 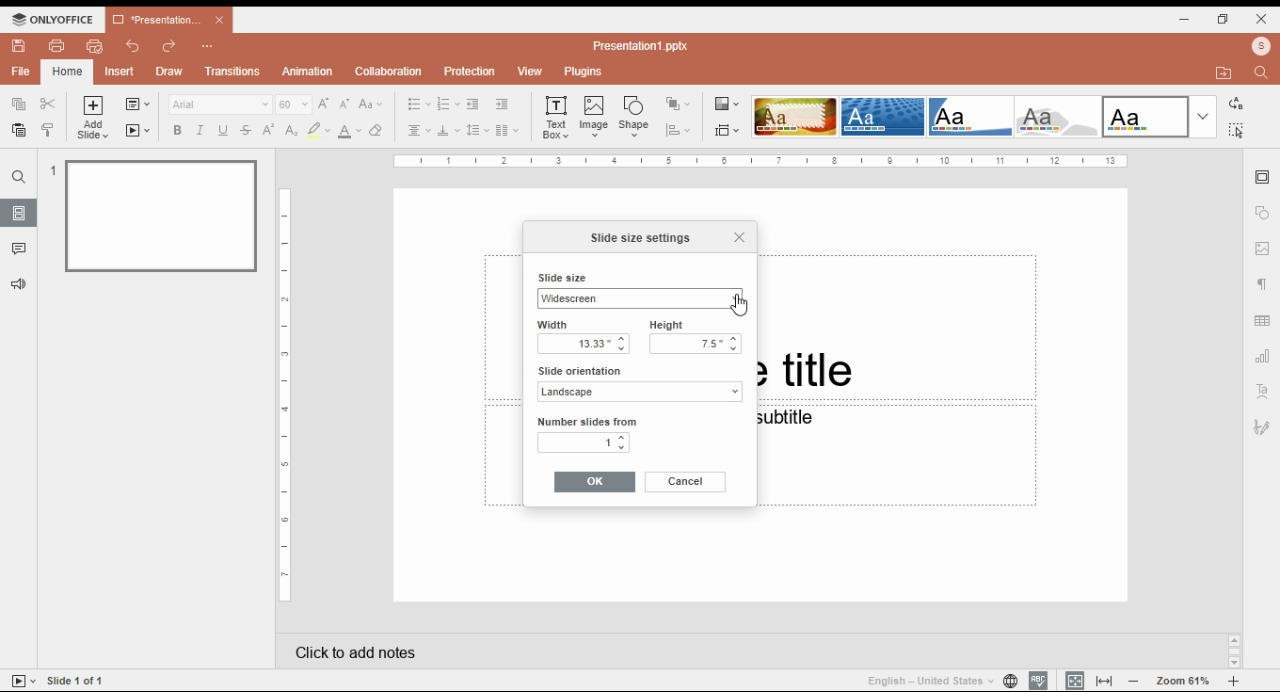 I want to click on print file, so click(x=57, y=46).